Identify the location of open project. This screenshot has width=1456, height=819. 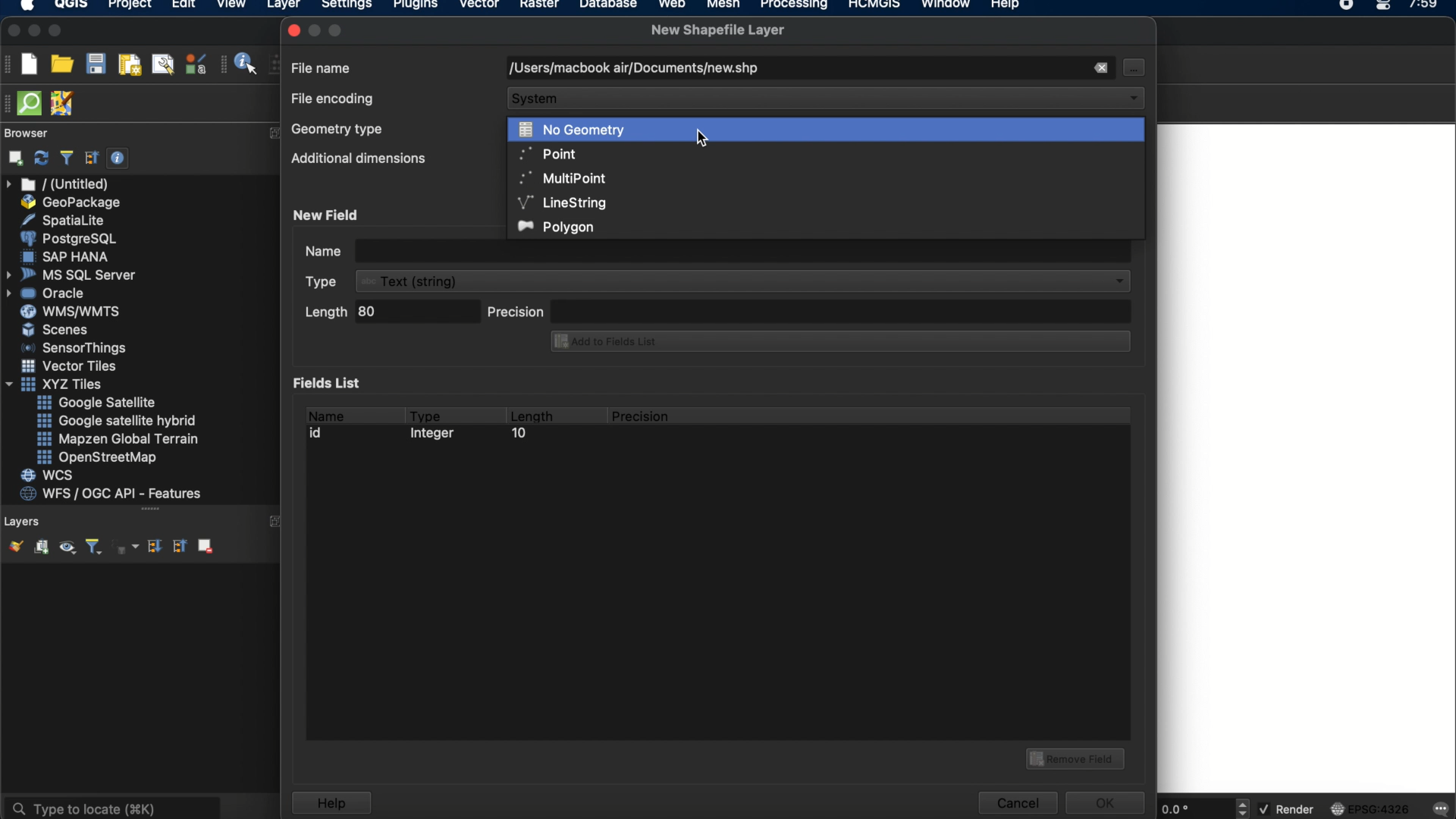
(61, 64).